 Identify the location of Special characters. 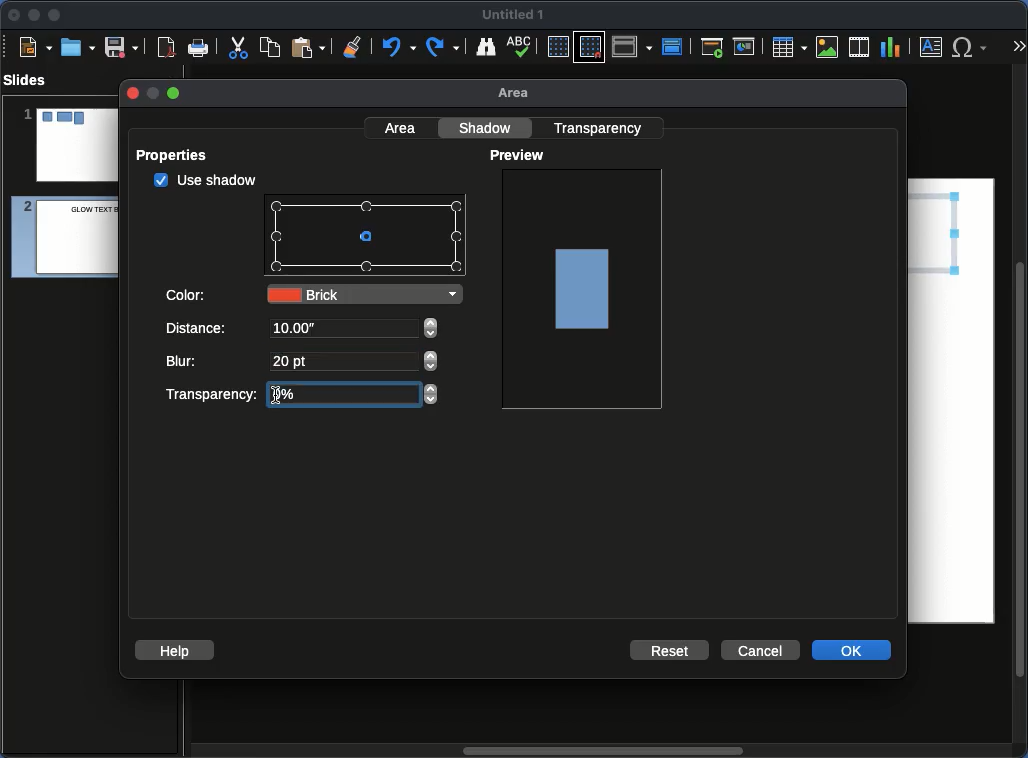
(974, 47).